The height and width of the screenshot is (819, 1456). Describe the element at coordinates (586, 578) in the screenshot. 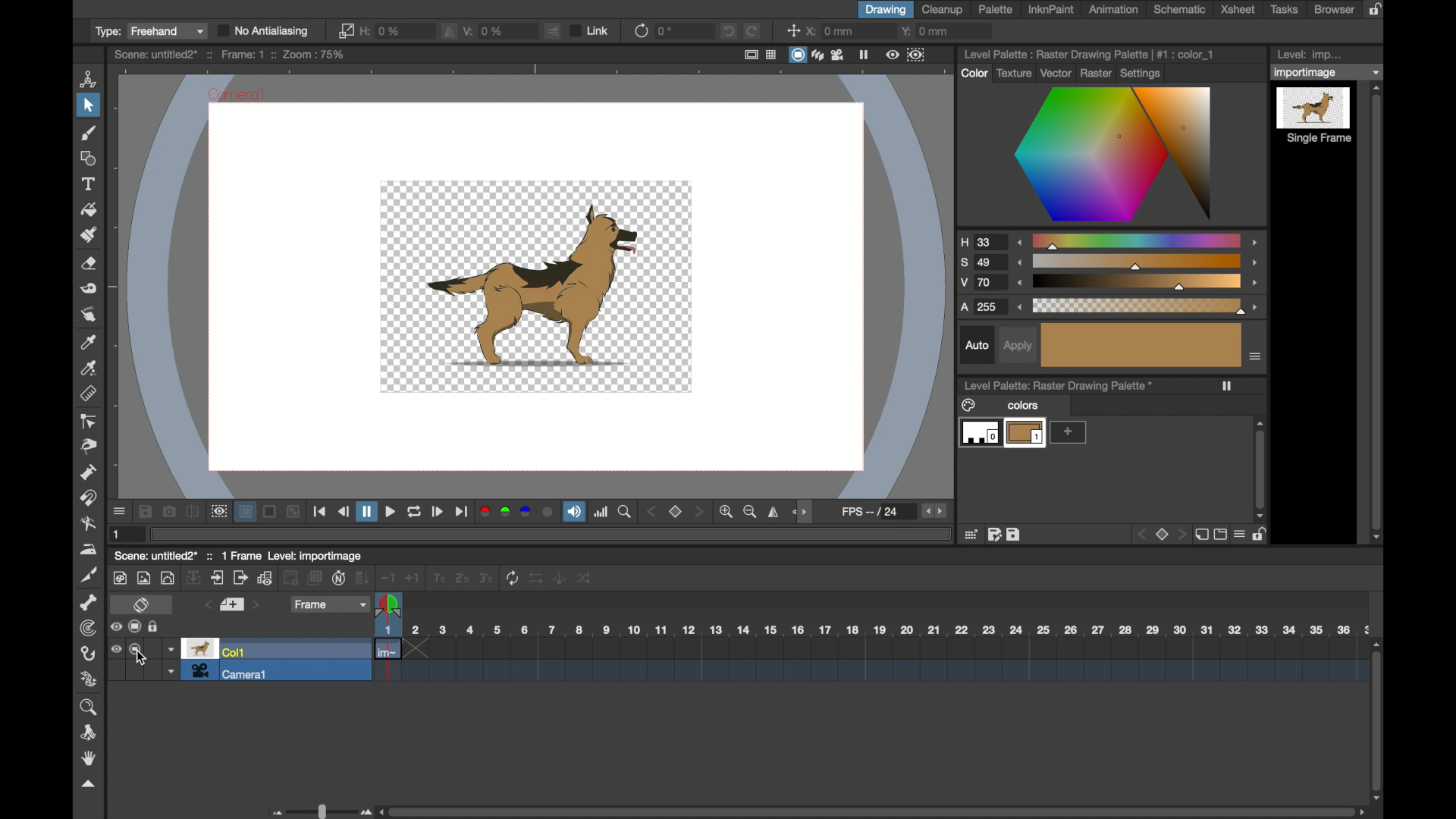

I see `change` at that location.